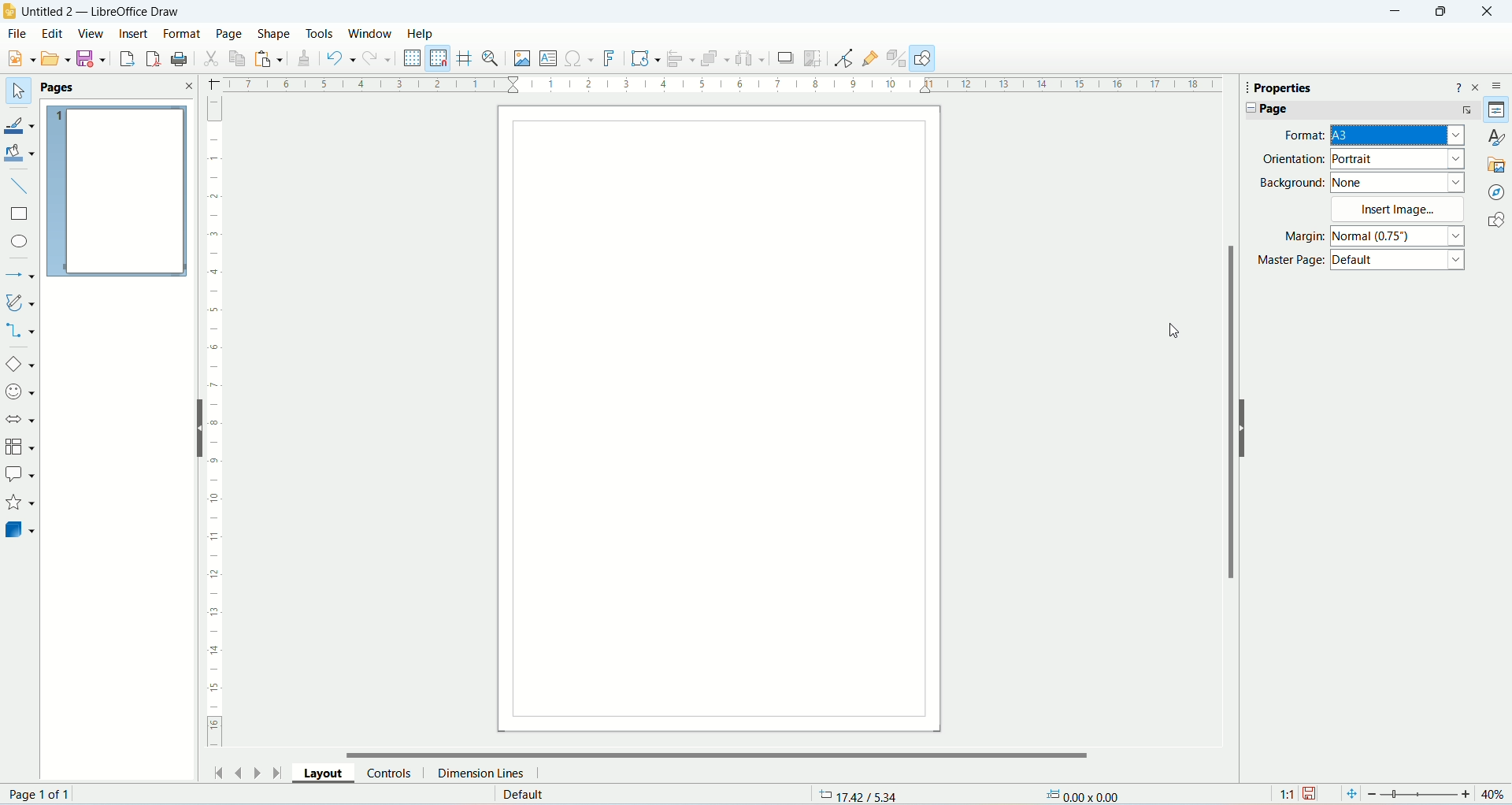  What do you see at coordinates (41, 792) in the screenshot?
I see `page` at bounding box center [41, 792].